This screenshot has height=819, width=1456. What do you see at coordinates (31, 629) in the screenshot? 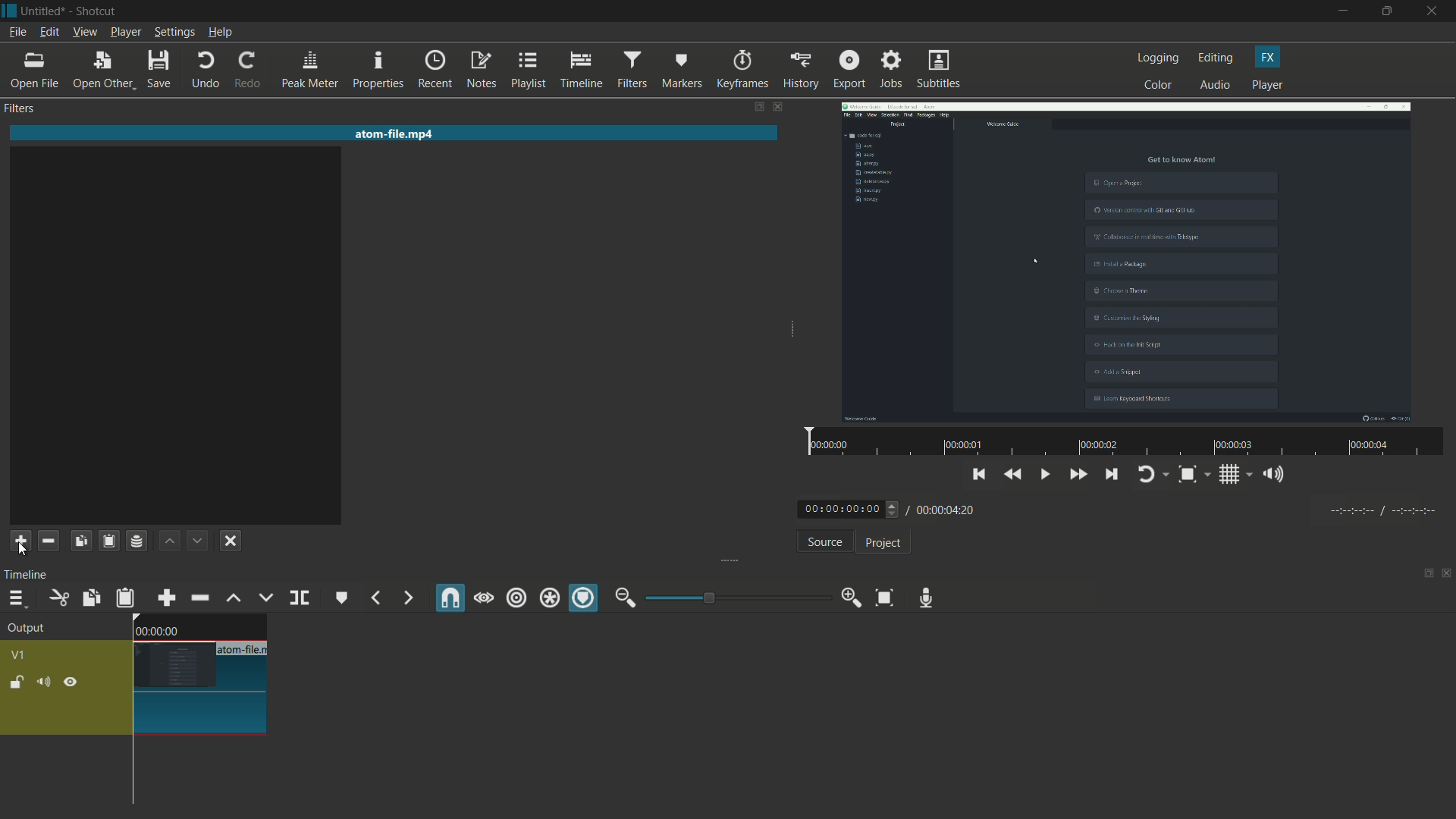
I see `output` at bounding box center [31, 629].